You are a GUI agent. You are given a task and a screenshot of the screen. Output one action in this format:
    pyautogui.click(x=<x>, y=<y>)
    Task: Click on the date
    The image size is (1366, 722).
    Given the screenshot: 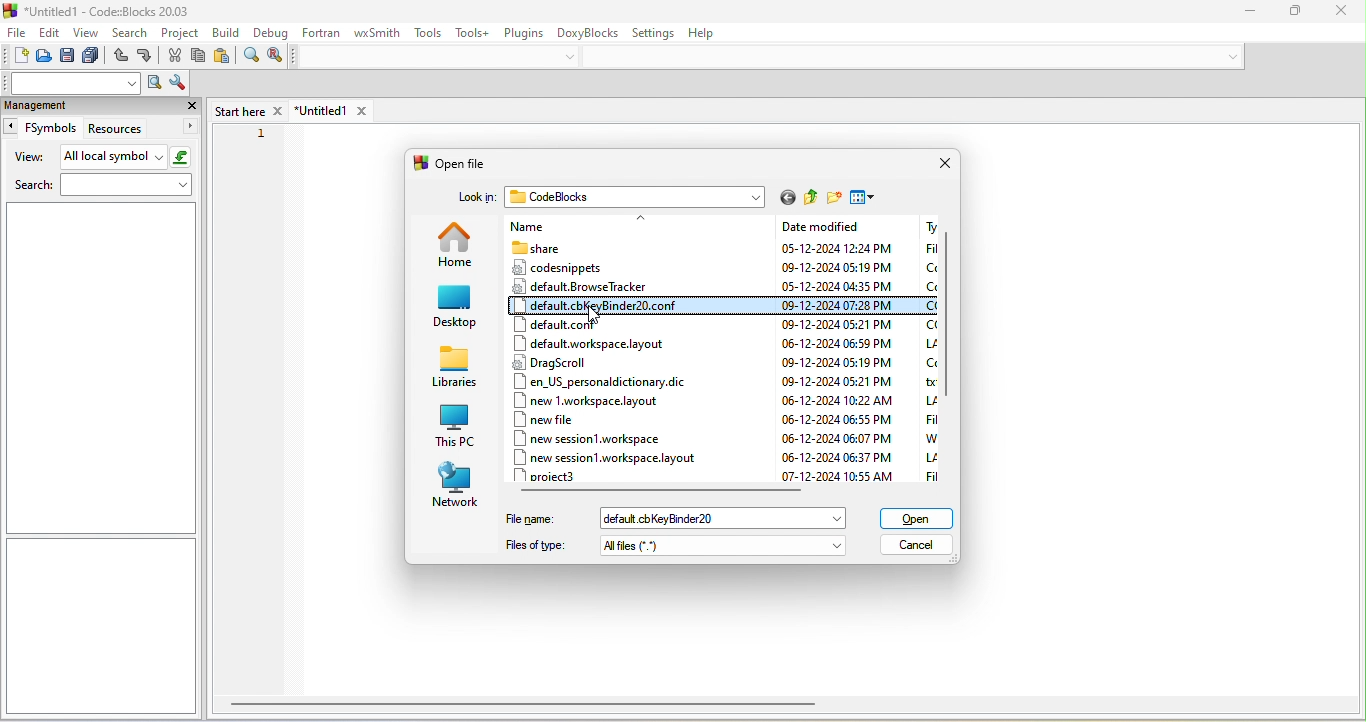 What is the action you would take?
    pyautogui.click(x=835, y=438)
    